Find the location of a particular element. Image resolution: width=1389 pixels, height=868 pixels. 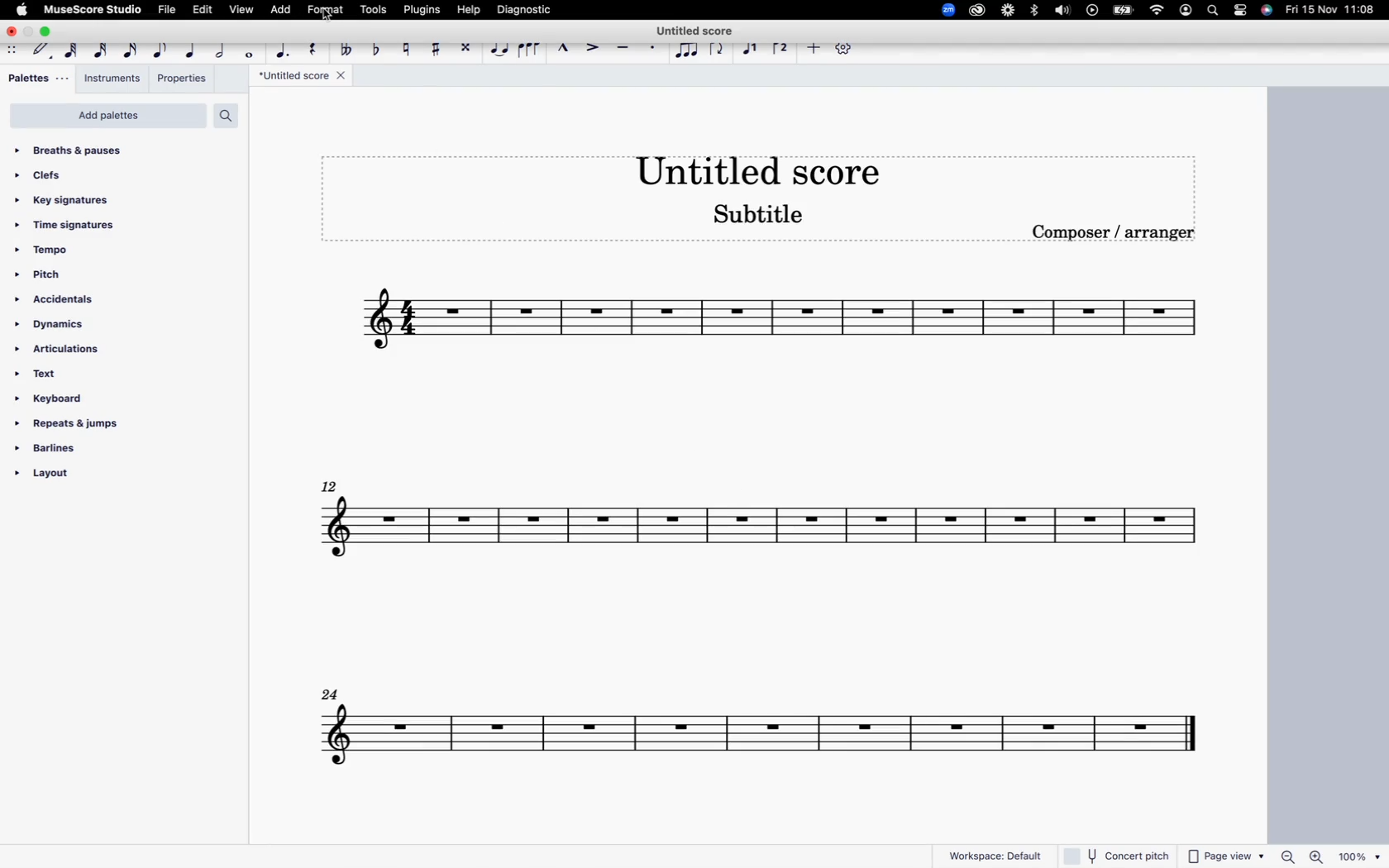

concert pitch is located at coordinates (1115, 855).